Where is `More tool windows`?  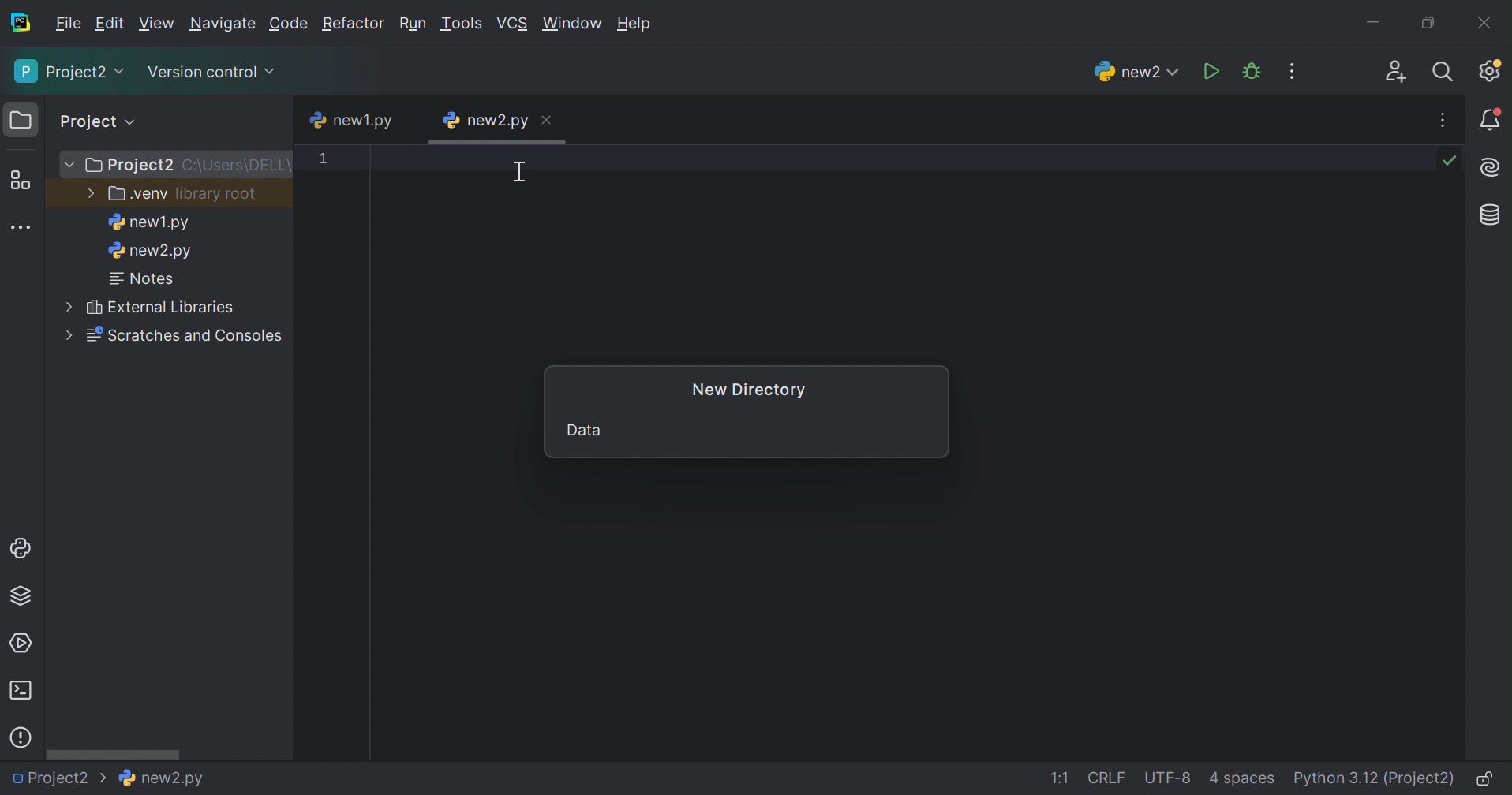
More tool windows is located at coordinates (22, 226).